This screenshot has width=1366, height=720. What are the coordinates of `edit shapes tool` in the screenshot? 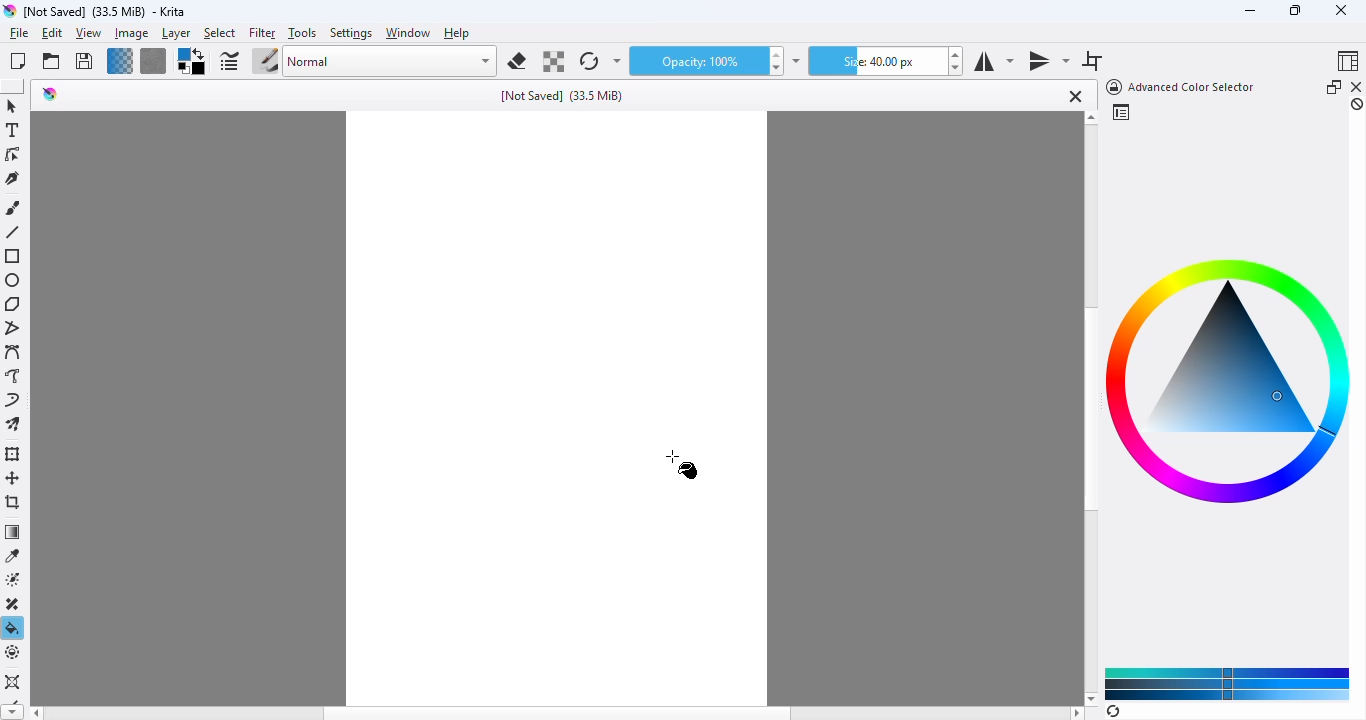 It's located at (13, 154).